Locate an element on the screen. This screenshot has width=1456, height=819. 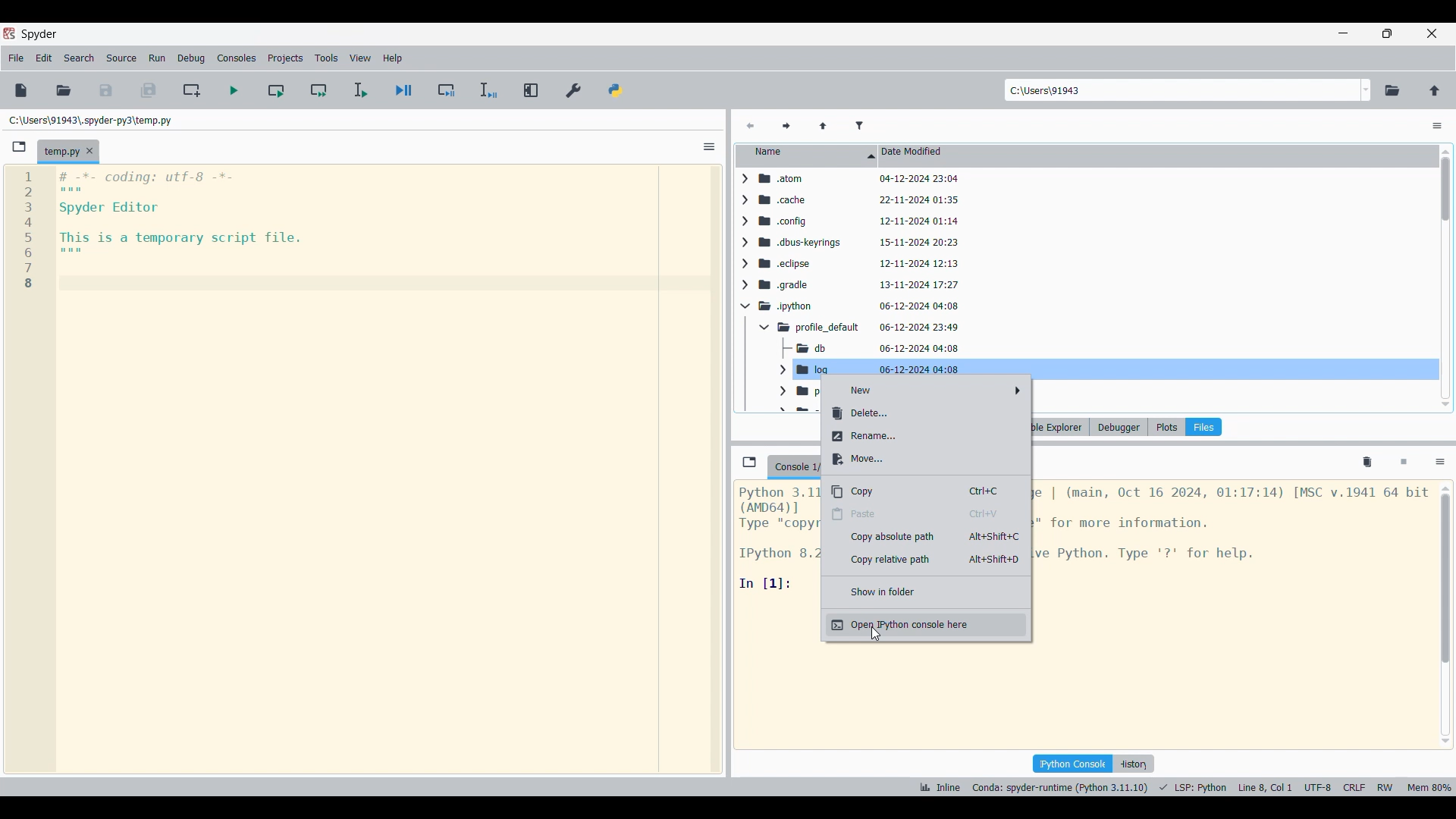
Help menu is located at coordinates (392, 58).